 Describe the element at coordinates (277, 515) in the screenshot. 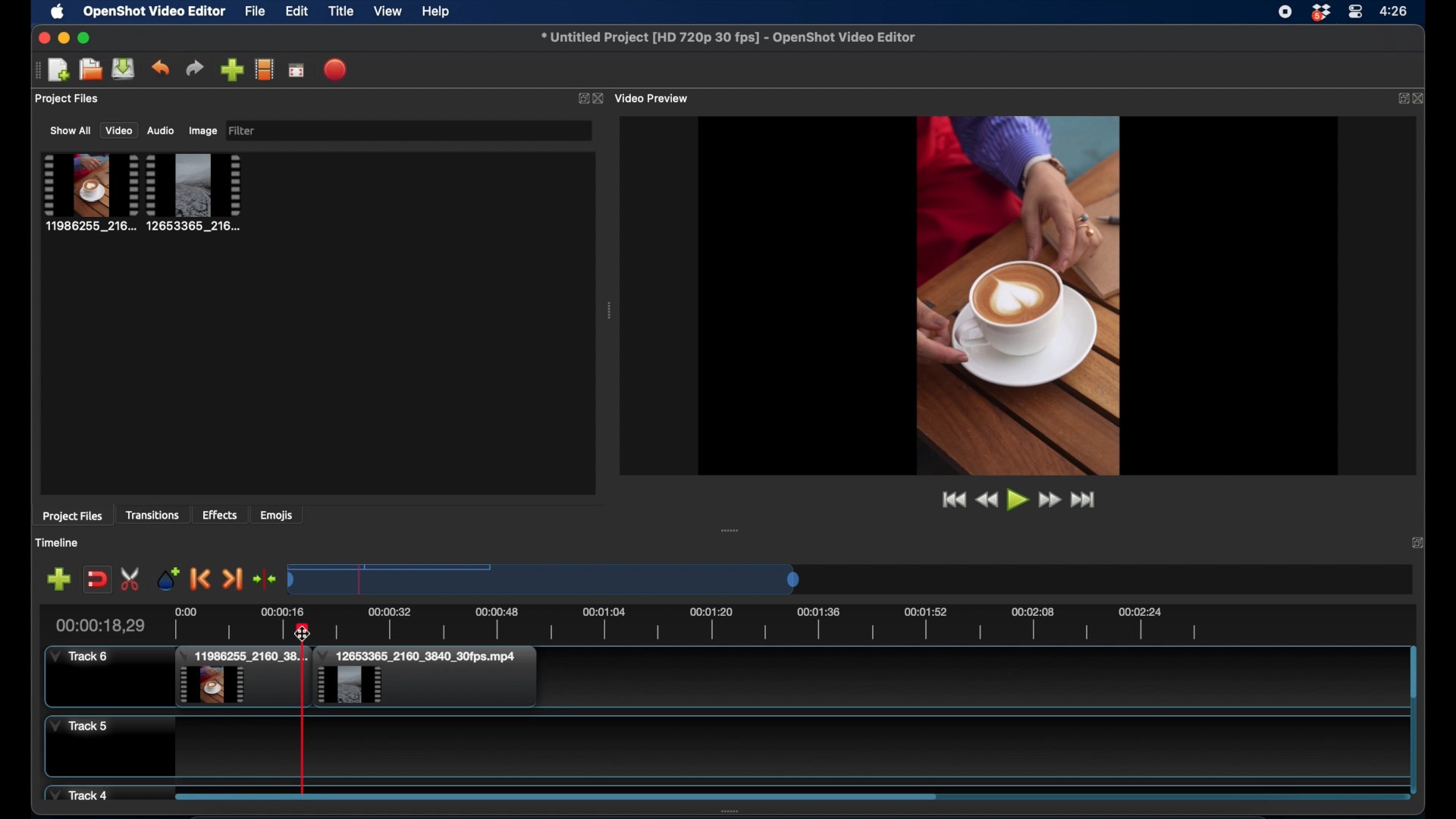

I see `emojis` at that location.